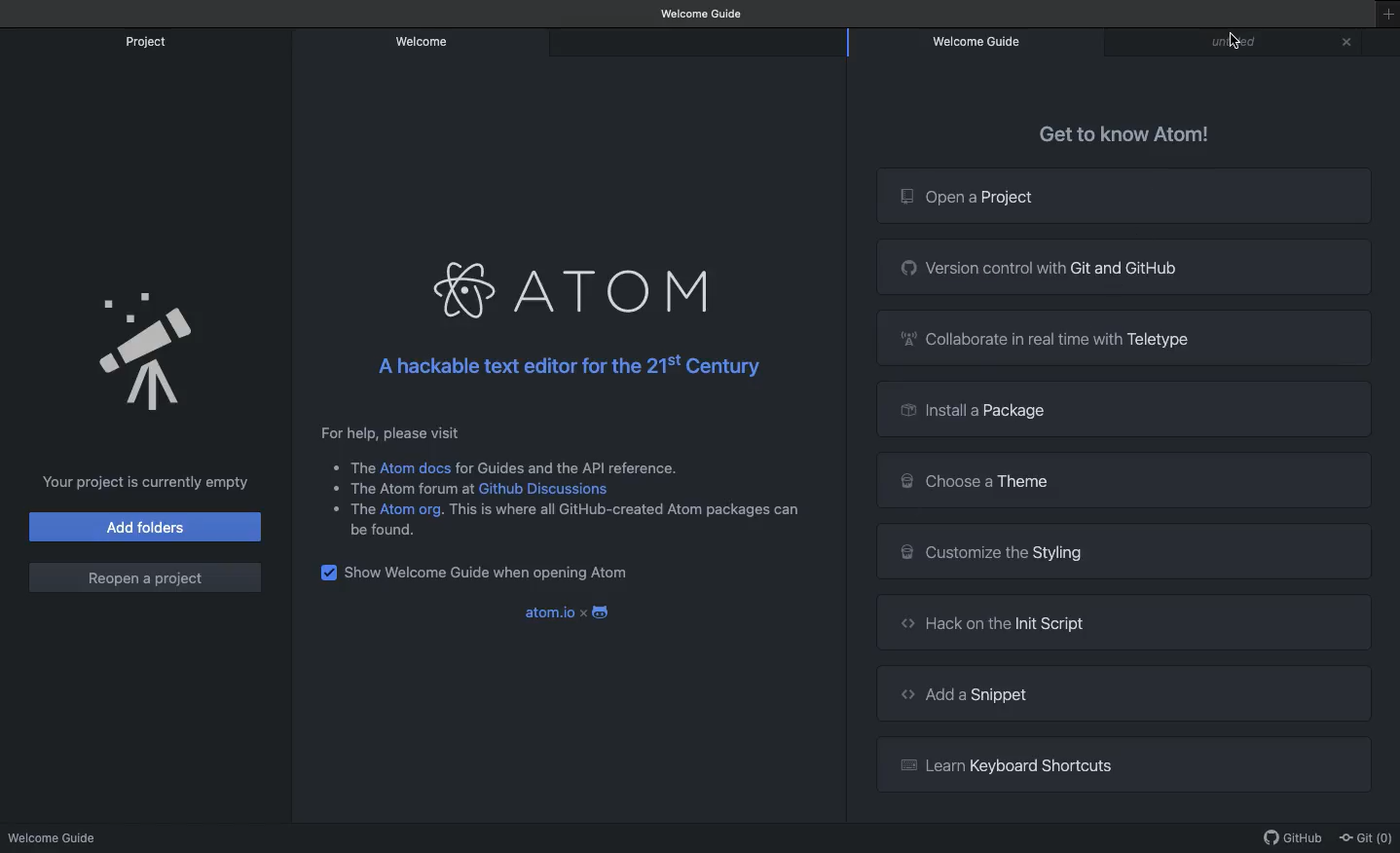 Image resolution: width=1400 pixels, height=853 pixels. Describe the element at coordinates (906, 338) in the screenshot. I see `logo Colab` at that location.